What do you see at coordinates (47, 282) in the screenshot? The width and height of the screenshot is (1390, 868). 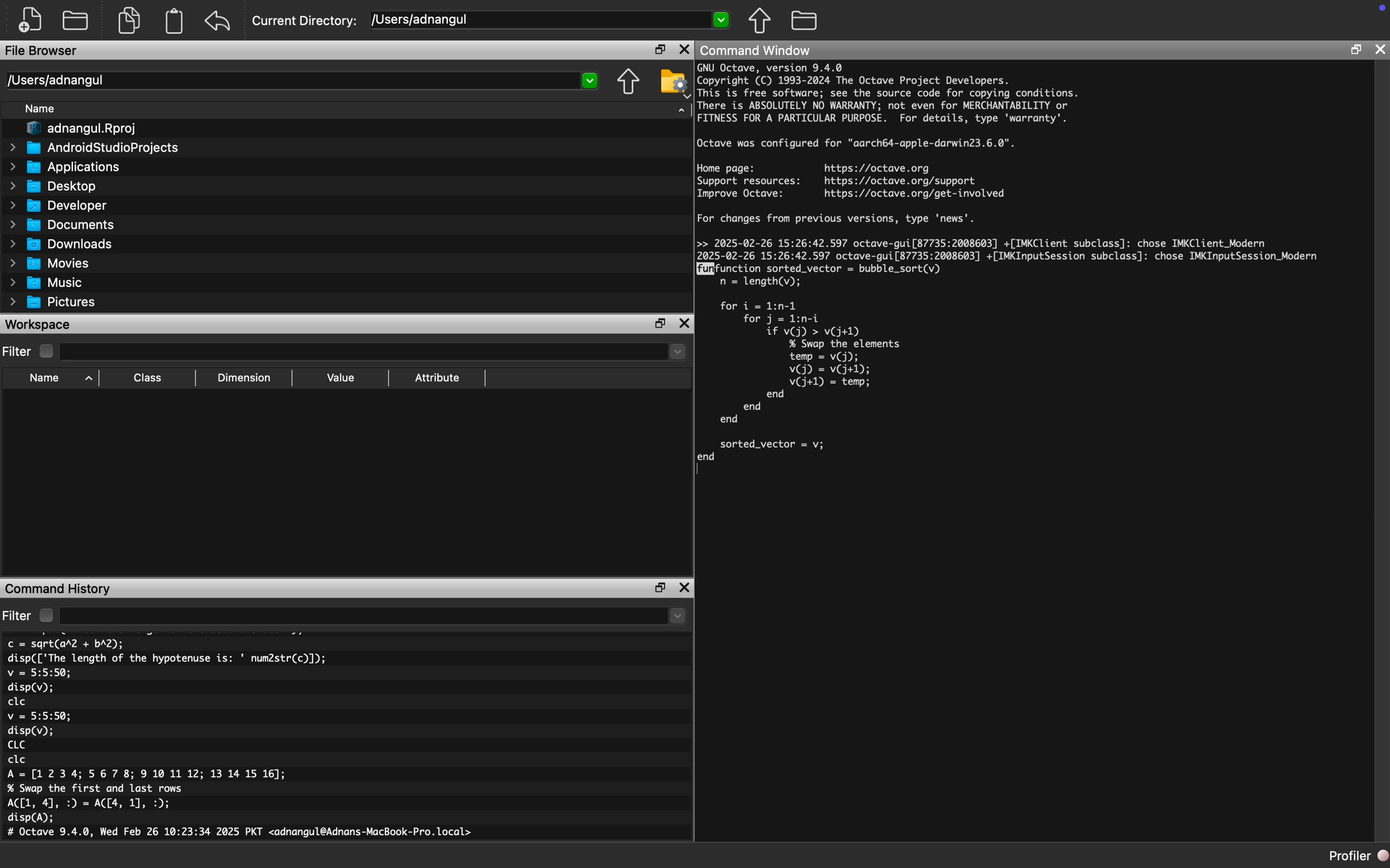 I see `Music` at bounding box center [47, 282].